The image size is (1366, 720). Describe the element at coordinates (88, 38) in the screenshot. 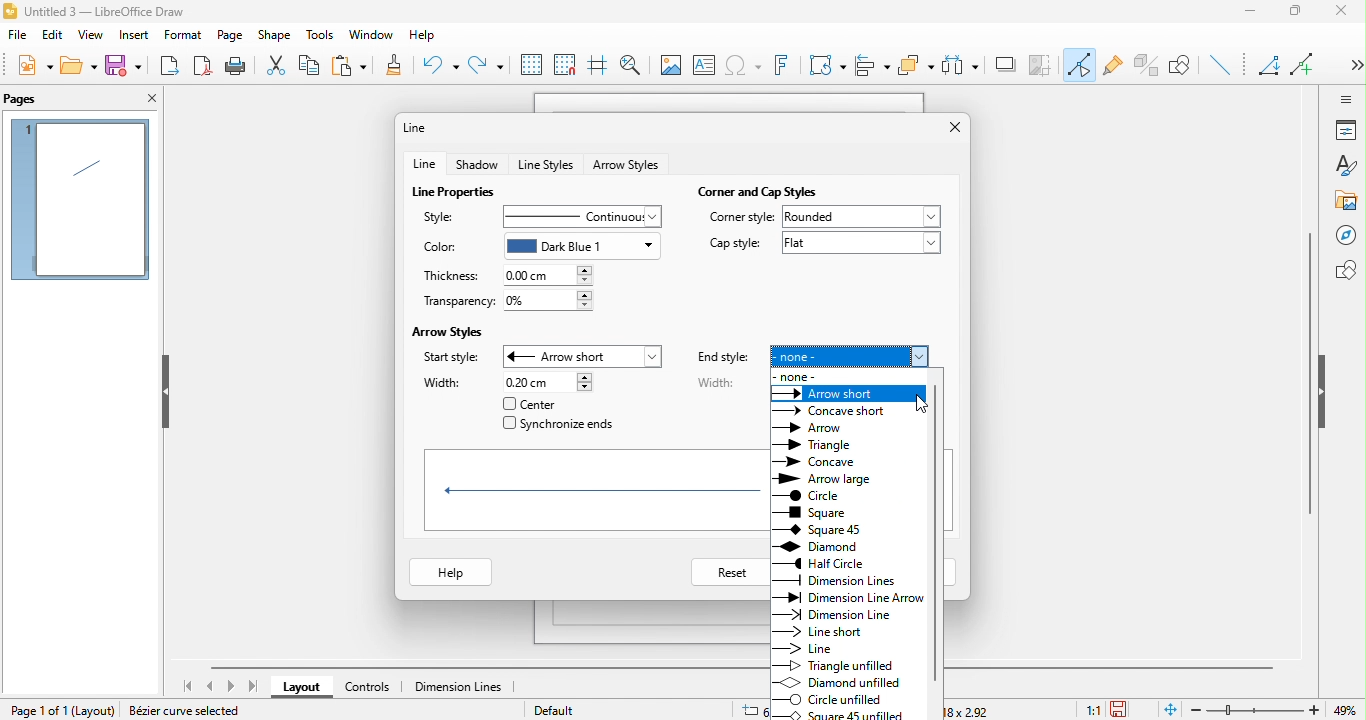

I see `view` at that location.